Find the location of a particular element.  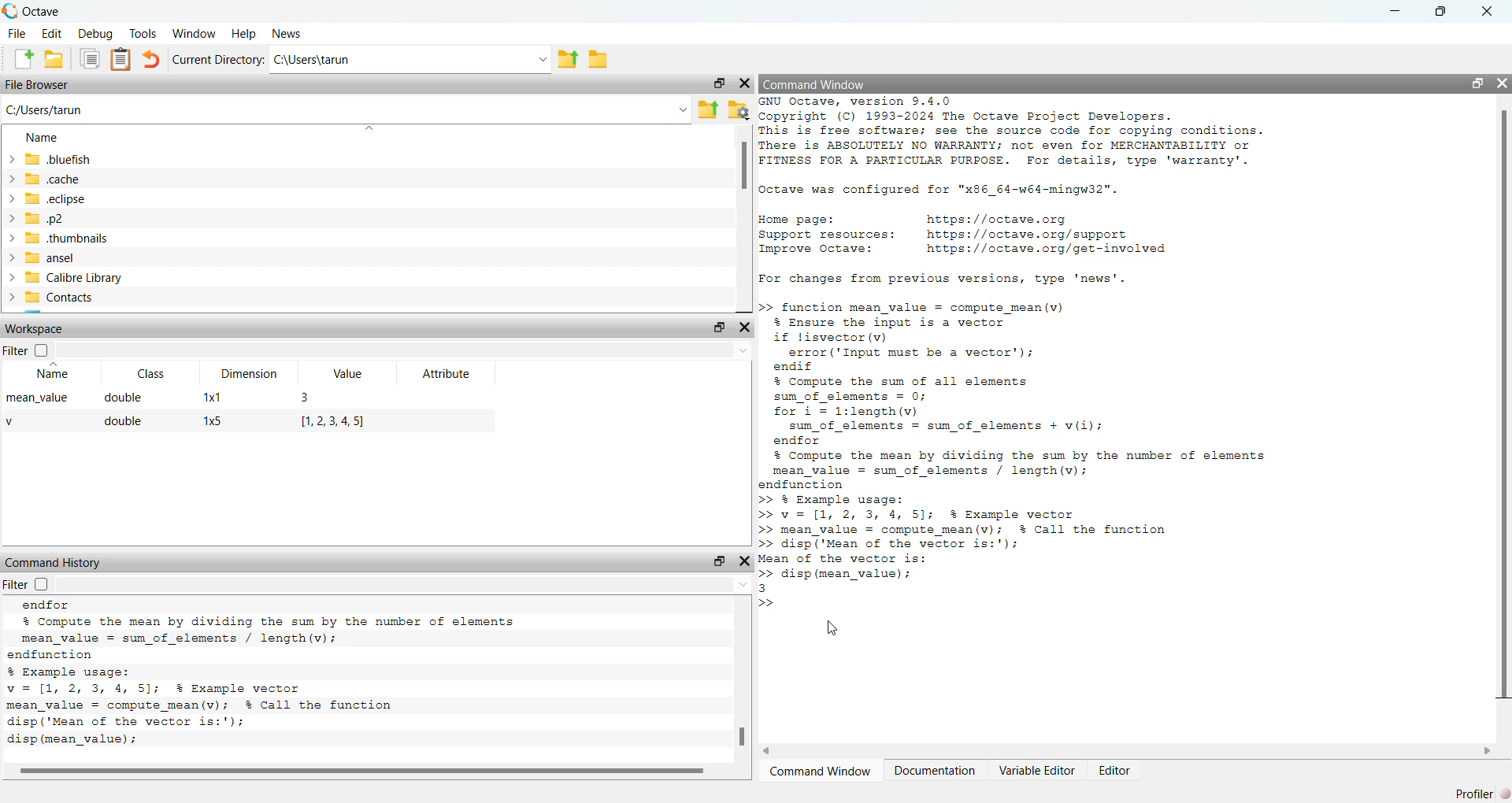

Command Window is located at coordinates (816, 84).